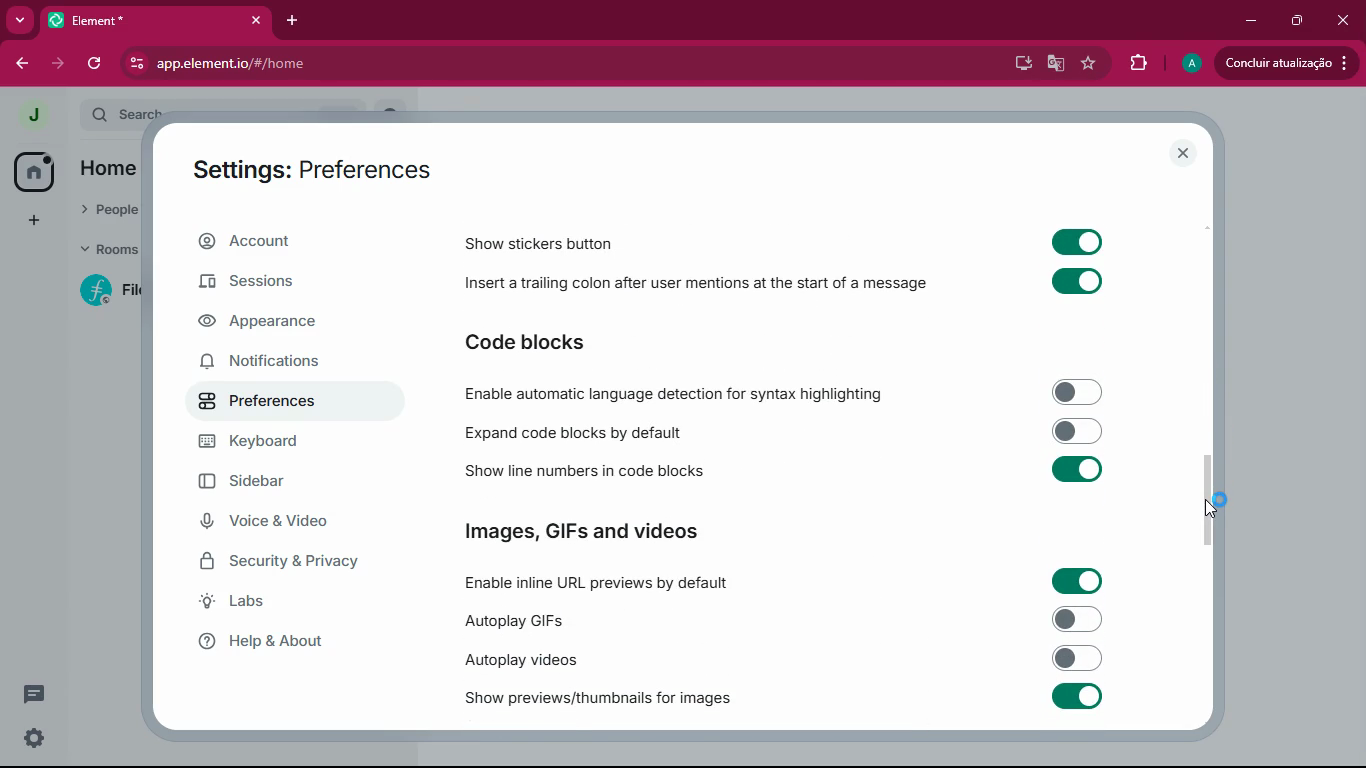 The width and height of the screenshot is (1366, 768). What do you see at coordinates (22, 19) in the screenshot?
I see `more` at bounding box center [22, 19].